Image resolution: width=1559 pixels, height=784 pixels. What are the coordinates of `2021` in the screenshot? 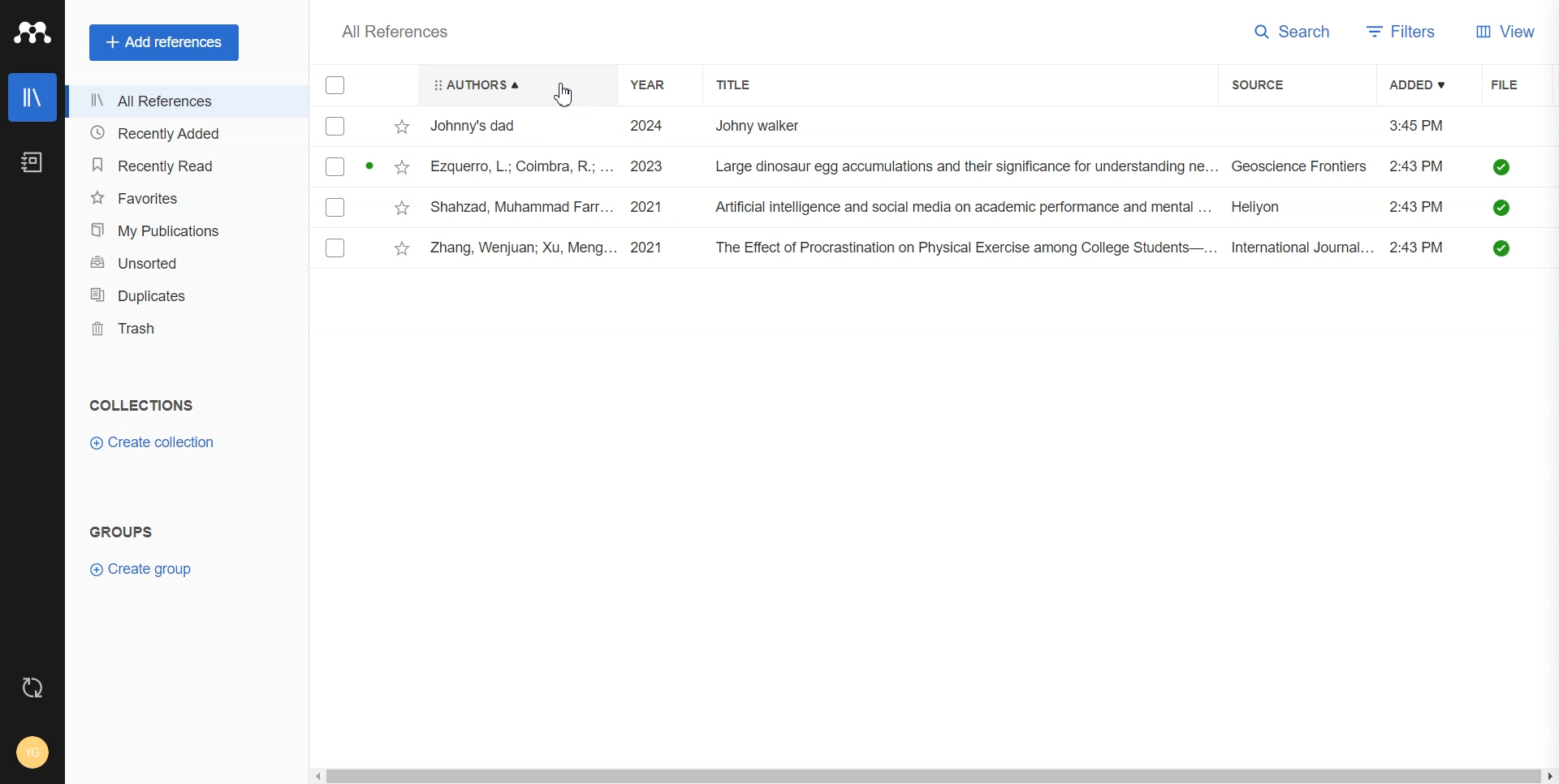 It's located at (646, 209).